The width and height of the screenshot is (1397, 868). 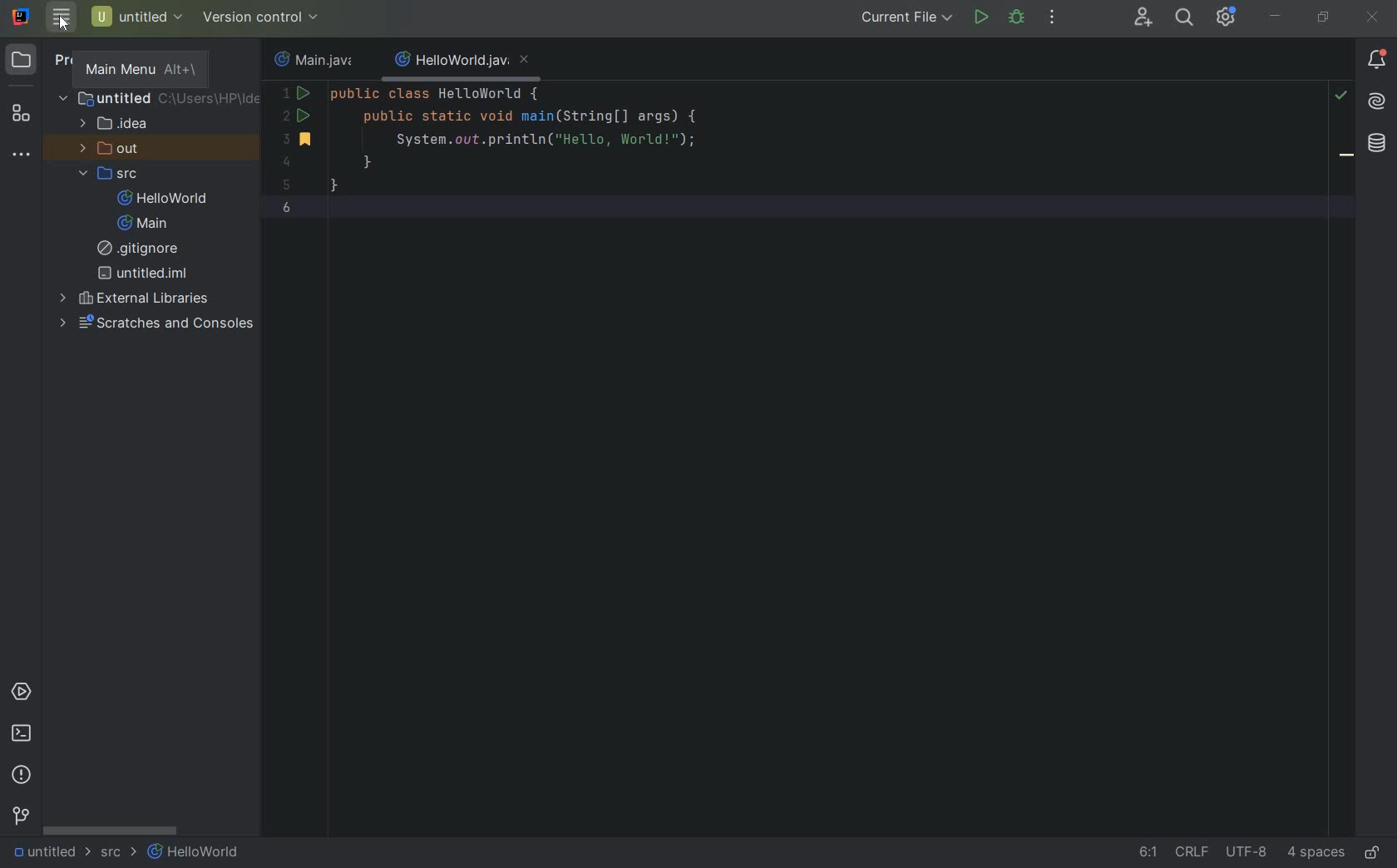 I want to click on run, so click(x=979, y=16).